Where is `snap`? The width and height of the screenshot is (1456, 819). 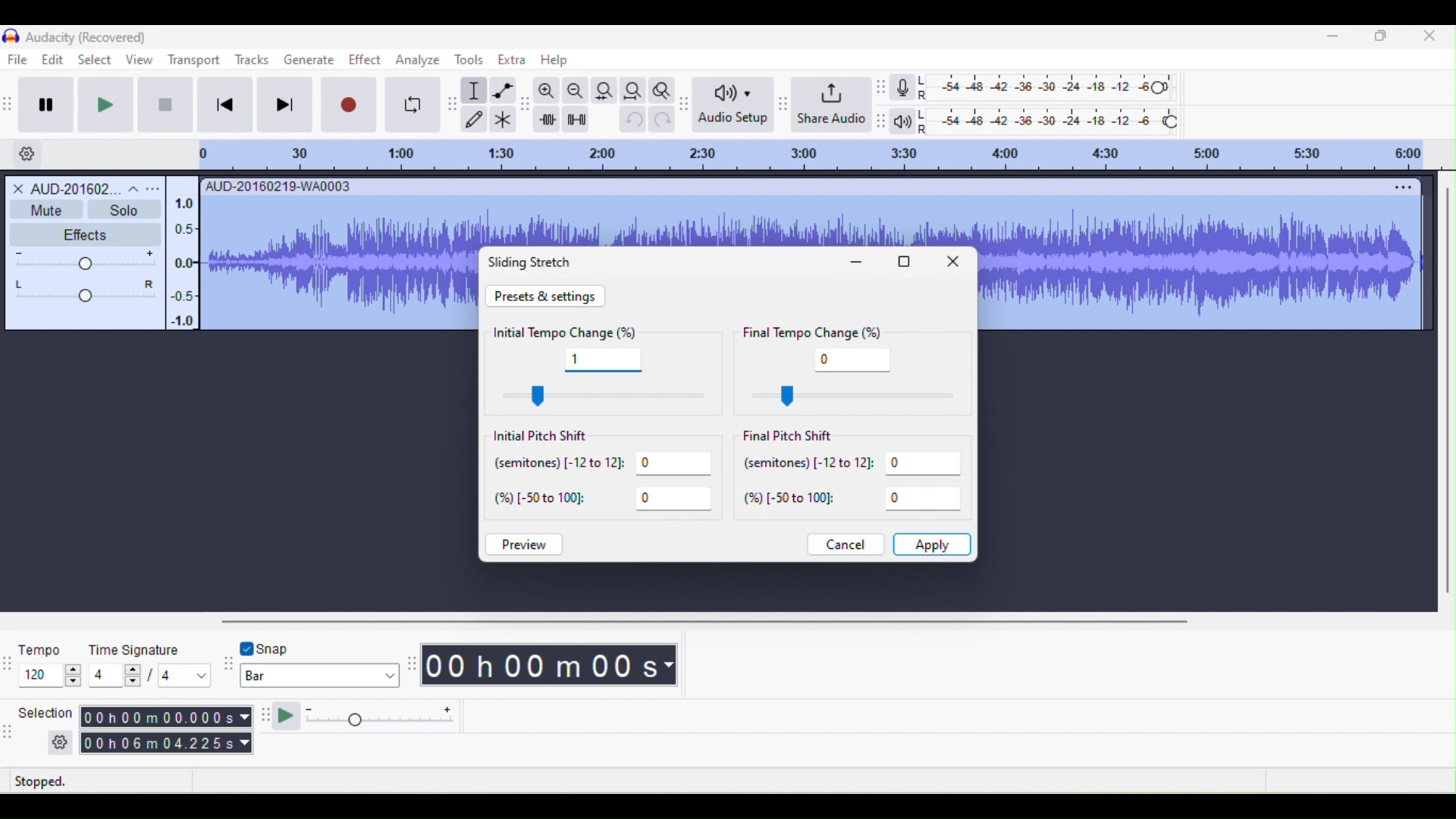 snap is located at coordinates (292, 647).